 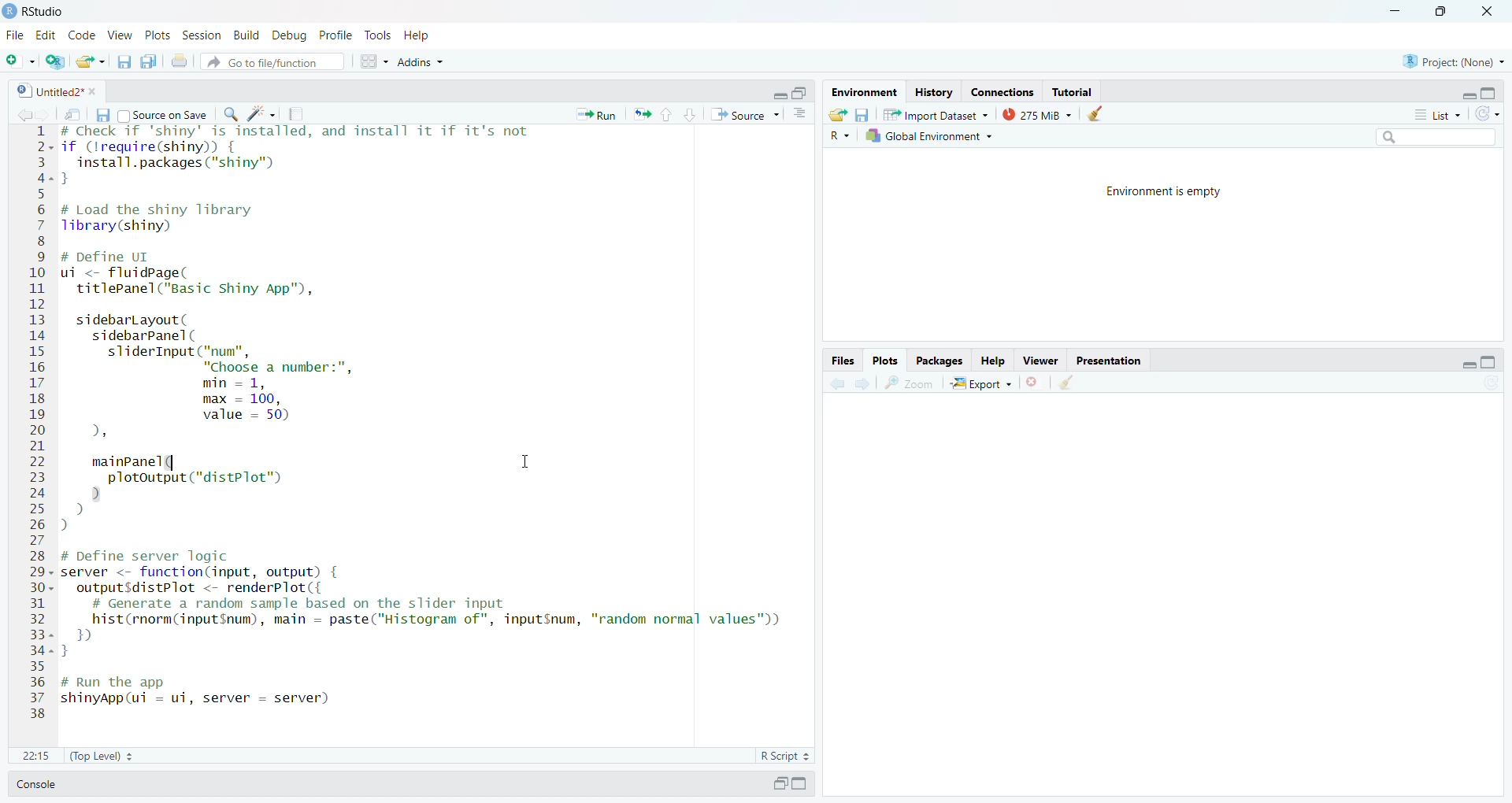 What do you see at coordinates (9, 11) in the screenshot?
I see `logo` at bounding box center [9, 11].